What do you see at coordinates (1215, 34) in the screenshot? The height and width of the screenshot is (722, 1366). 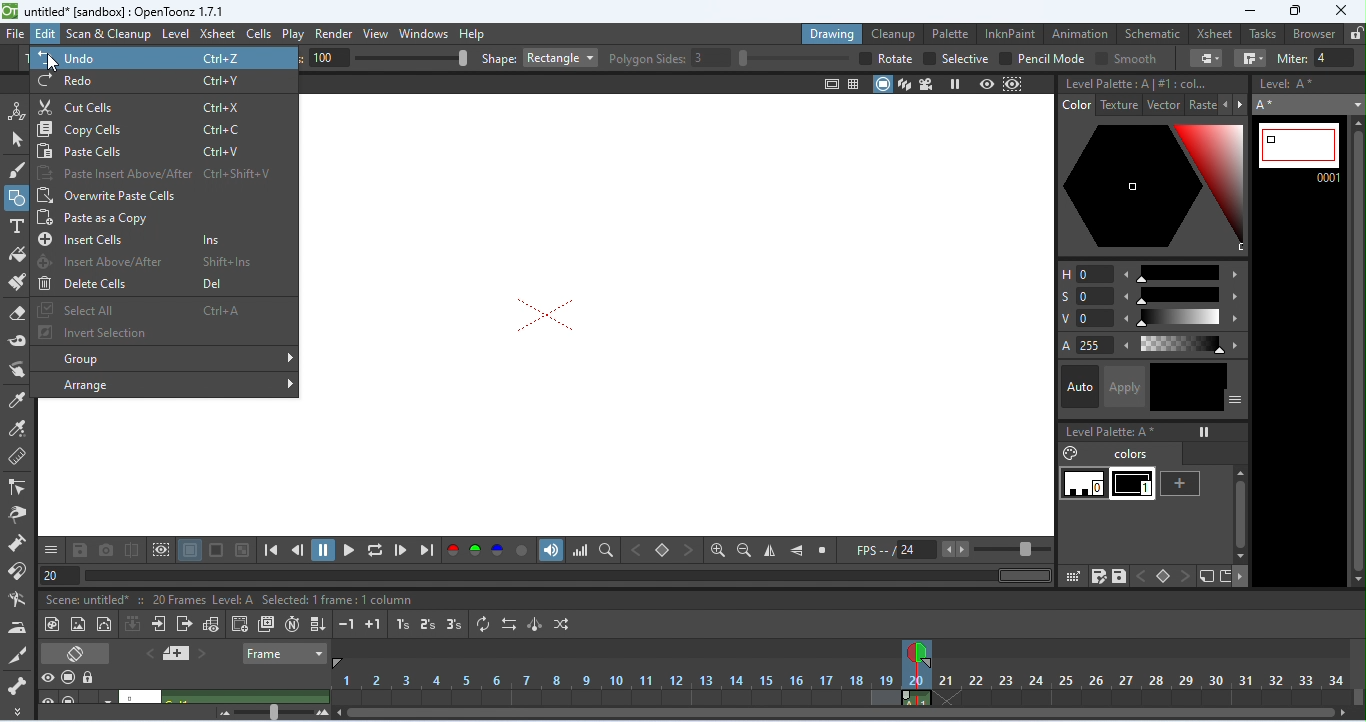 I see `xsheet` at bounding box center [1215, 34].